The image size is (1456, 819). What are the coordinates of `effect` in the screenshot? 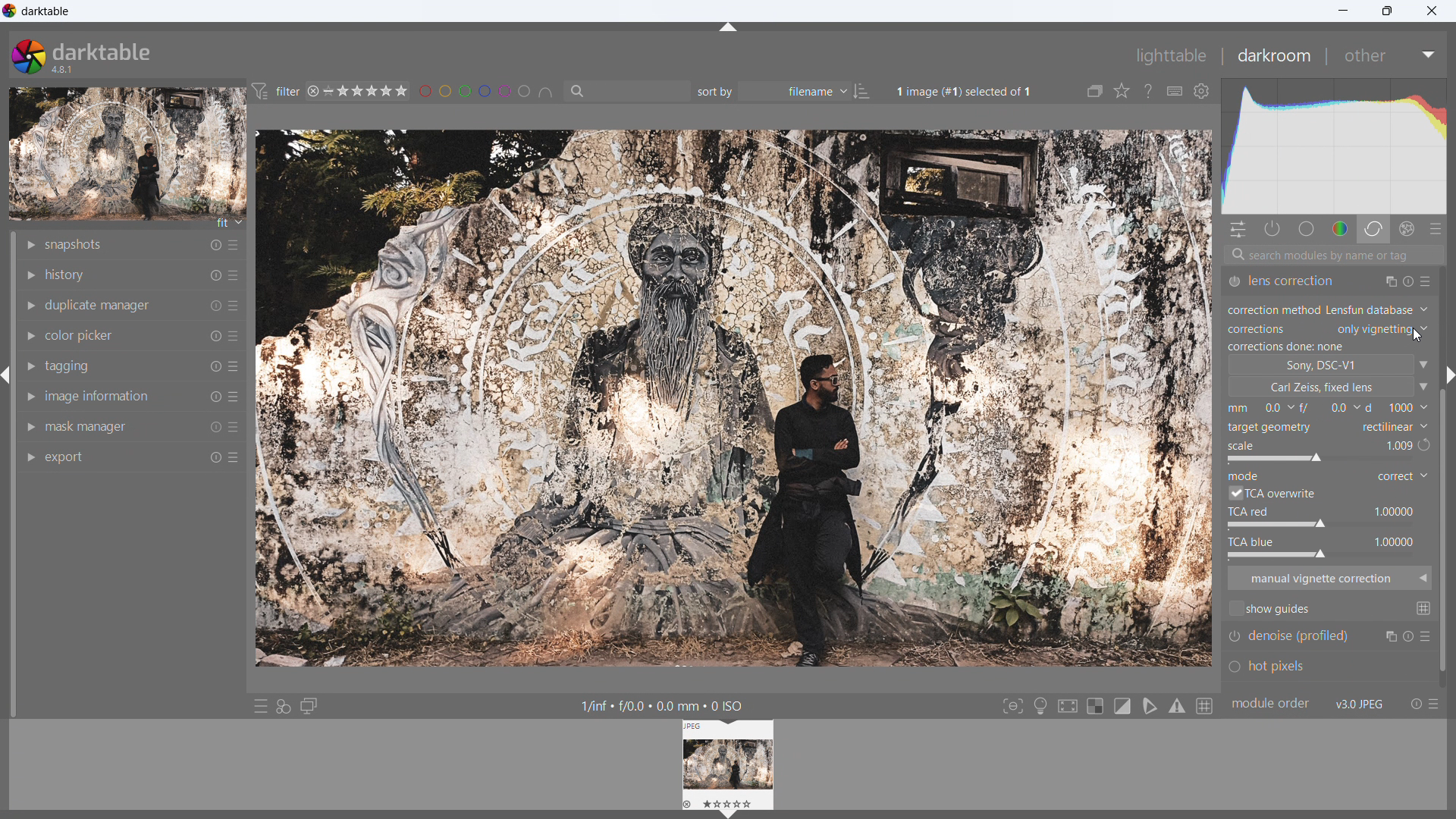 It's located at (1407, 229).